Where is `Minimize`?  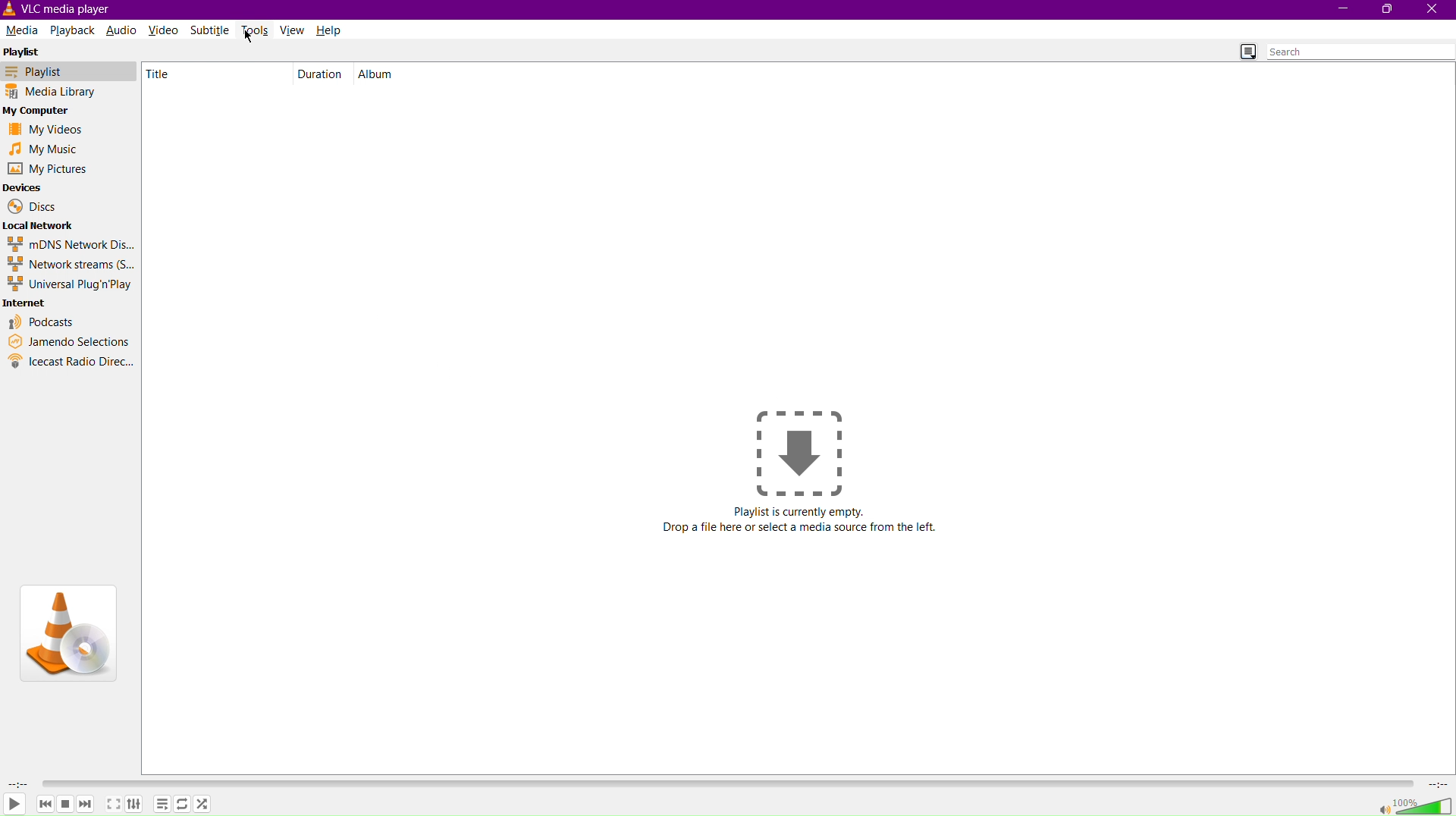
Minimize is located at coordinates (1344, 10).